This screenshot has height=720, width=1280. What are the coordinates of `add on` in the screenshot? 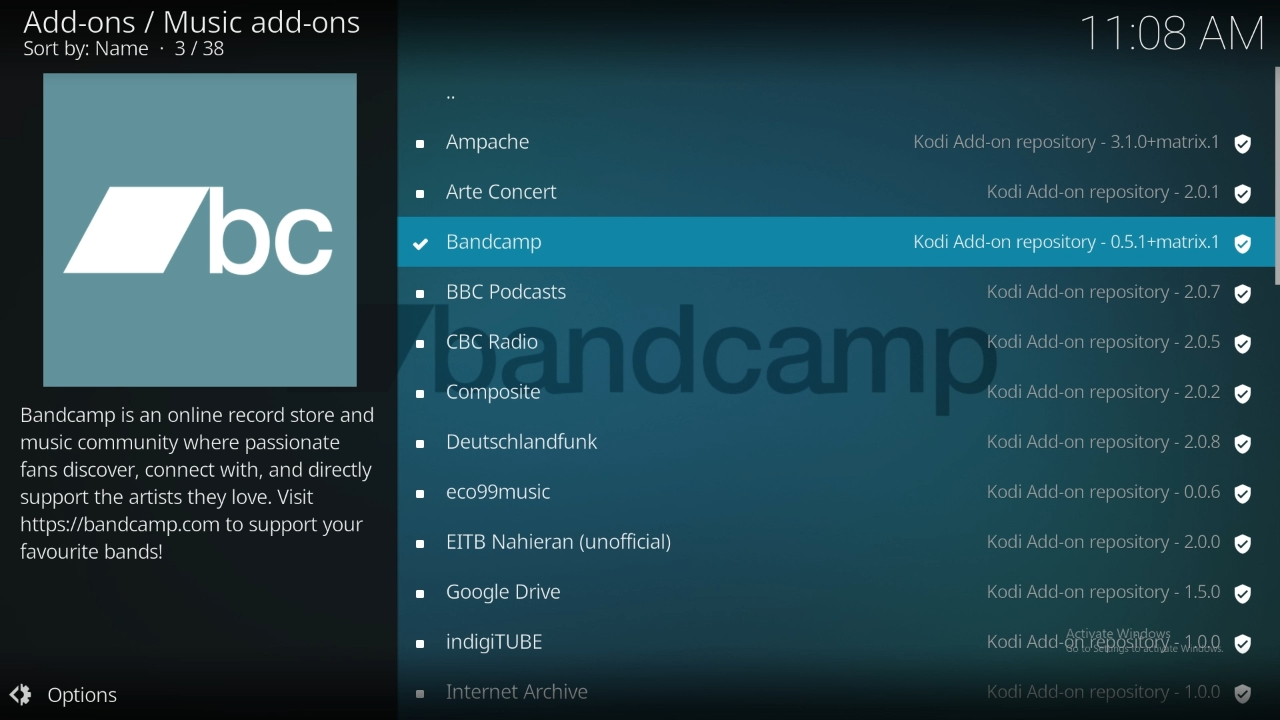 It's located at (833, 494).